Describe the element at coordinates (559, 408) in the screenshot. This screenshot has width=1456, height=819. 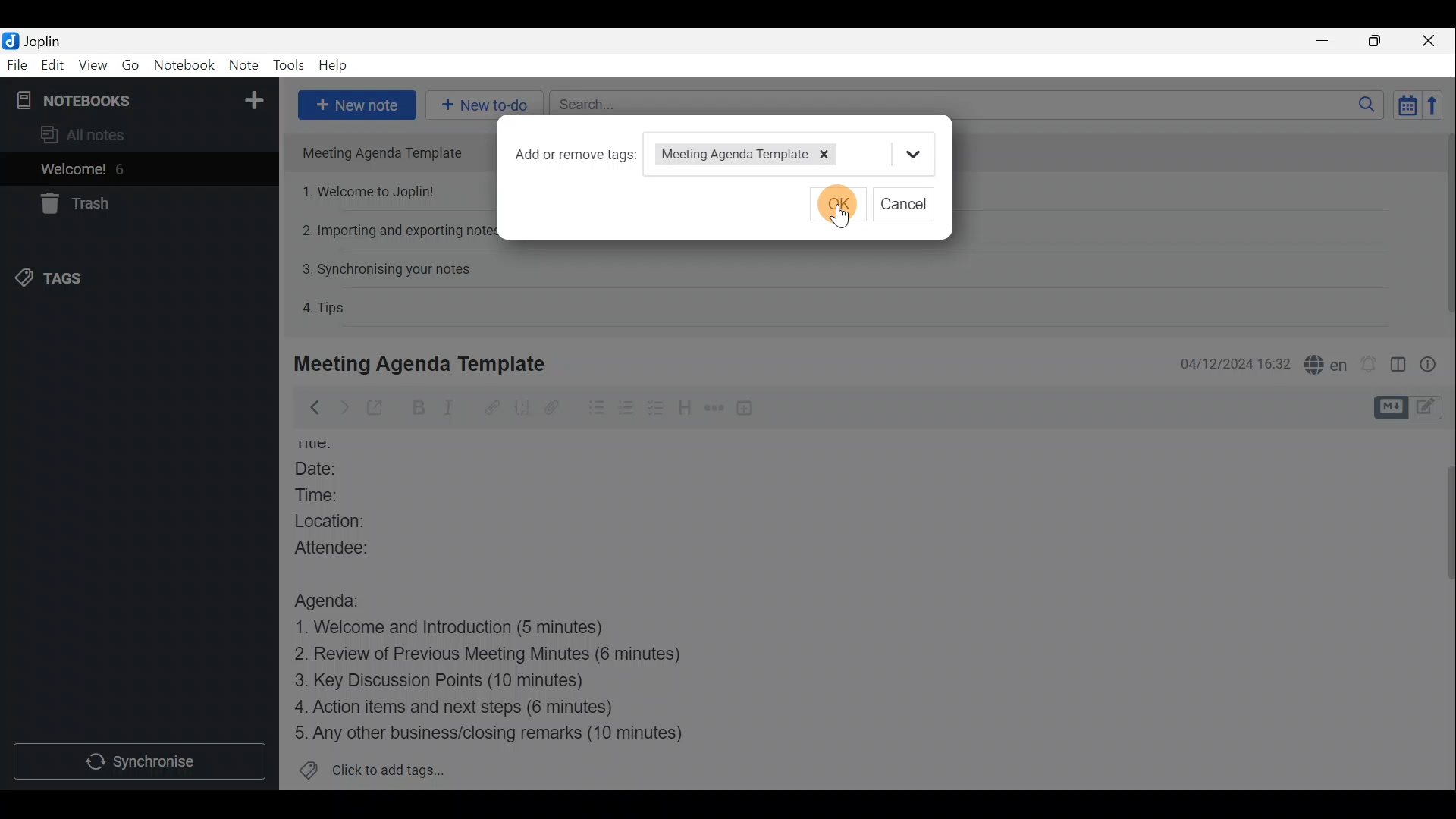
I see `Attach file` at that location.